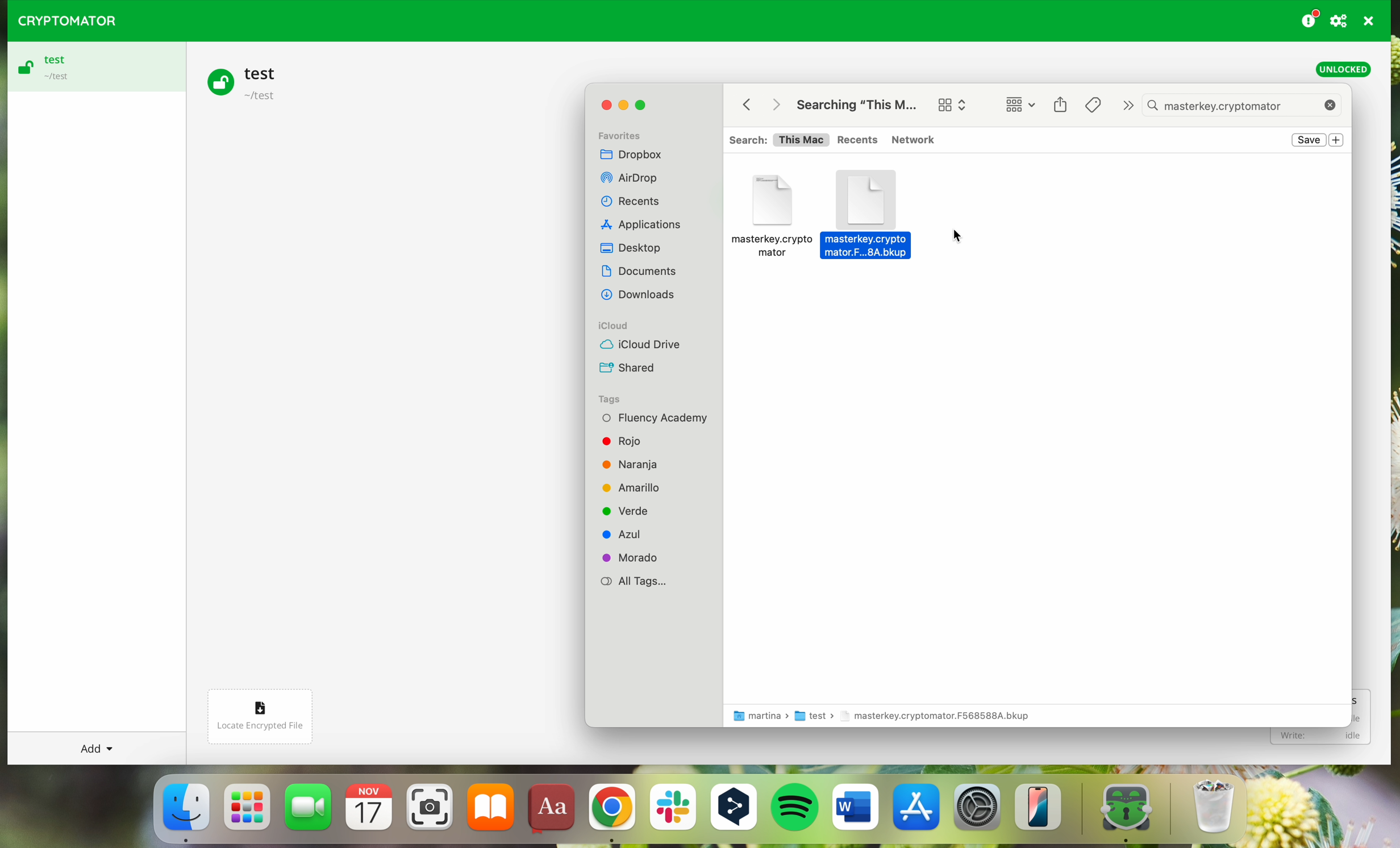 This screenshot has width=1400, height=848. What do you see at coordinates (185, 812) in the screenshot?
I see `Finder` at bounding box center [185, 812].